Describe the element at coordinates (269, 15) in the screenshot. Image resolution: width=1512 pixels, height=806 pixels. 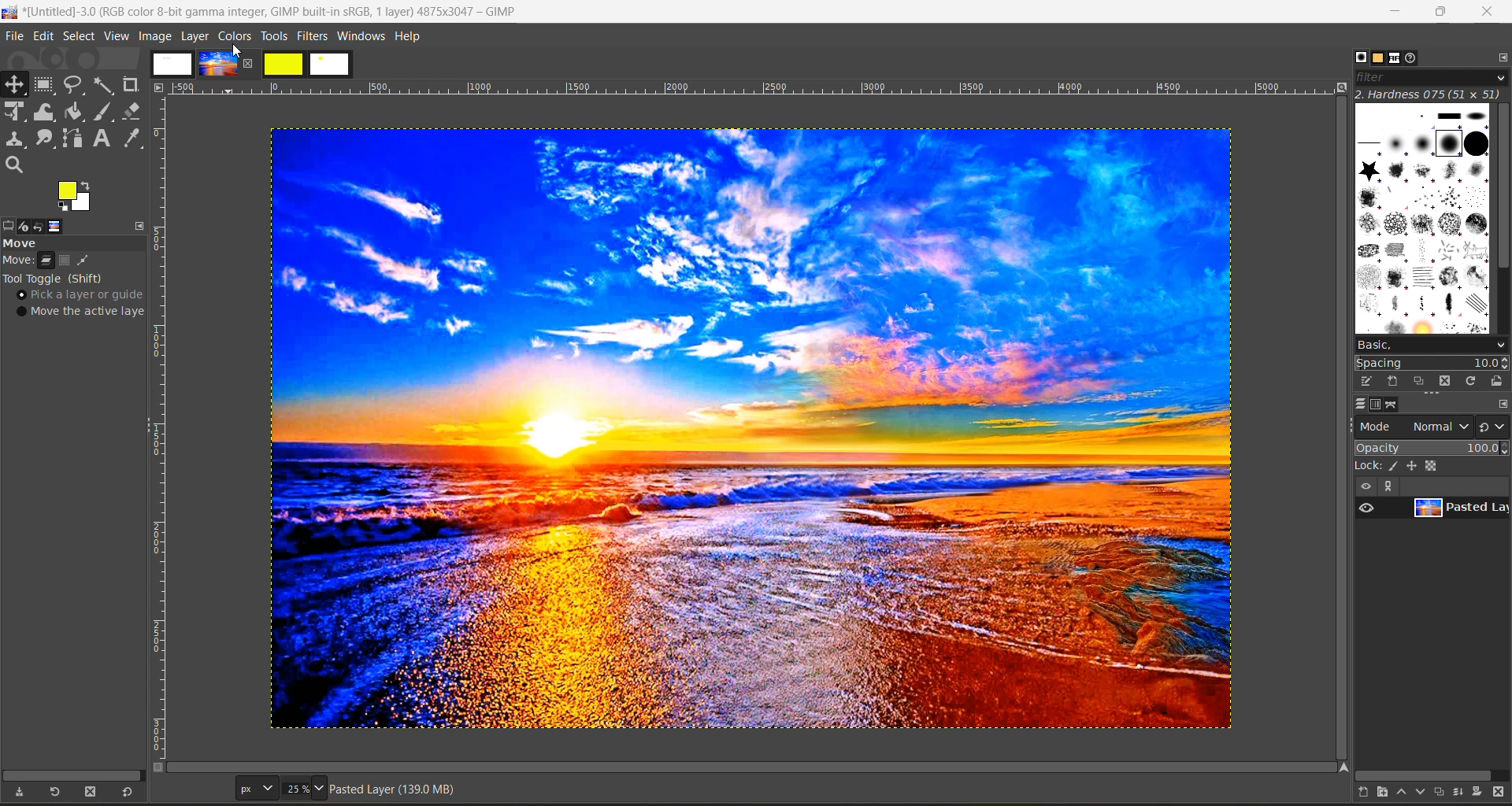
I see `file name and app title` at that location.